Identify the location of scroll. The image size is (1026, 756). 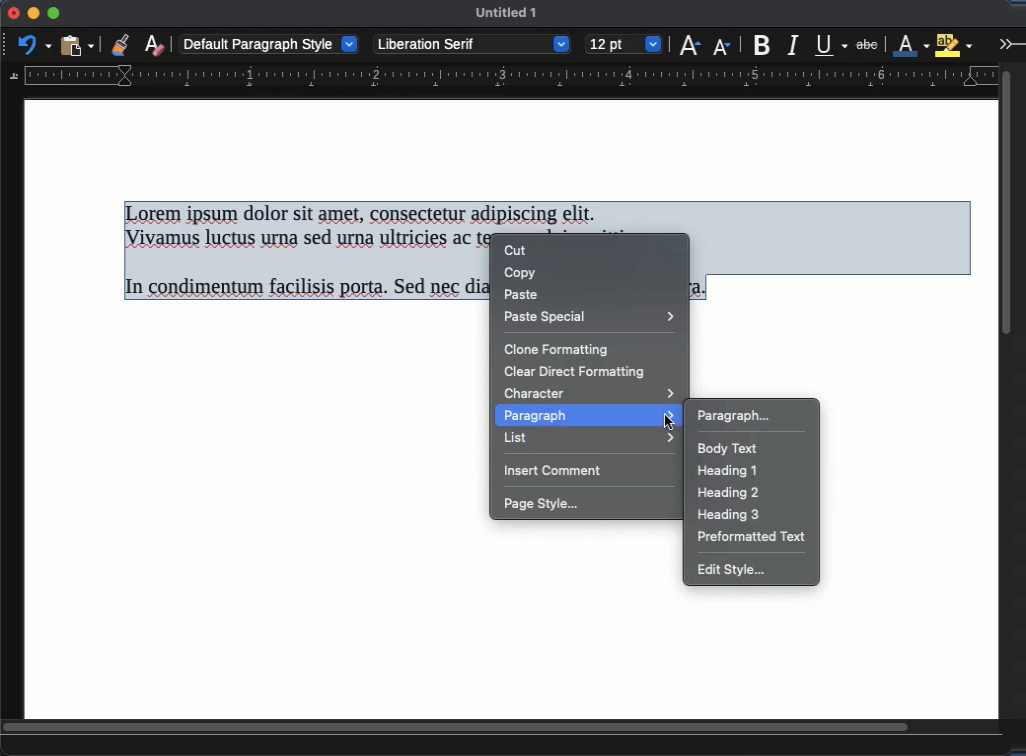
(502, 729).